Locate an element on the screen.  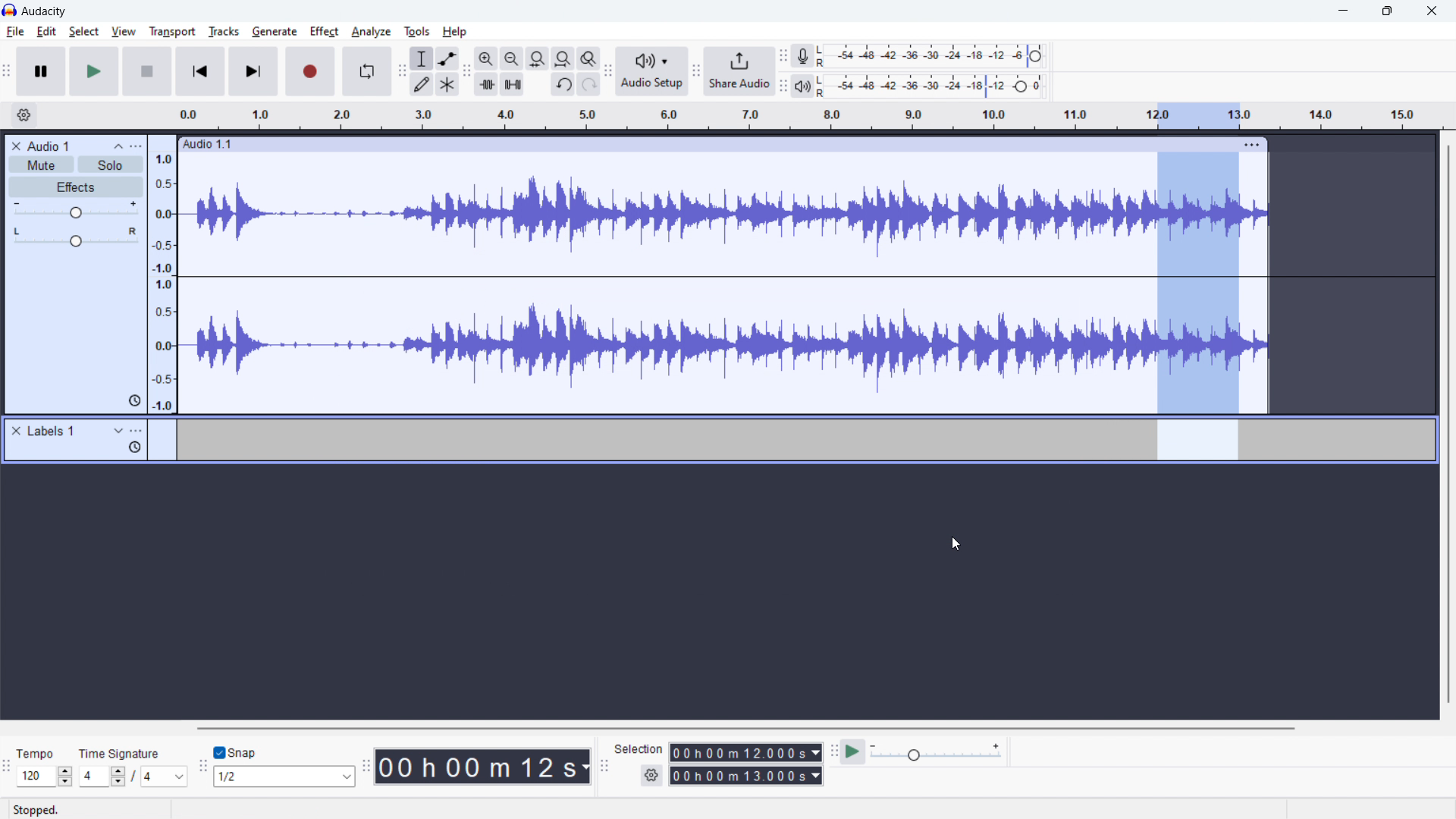
amplitude is located at coordinates (163, 274).